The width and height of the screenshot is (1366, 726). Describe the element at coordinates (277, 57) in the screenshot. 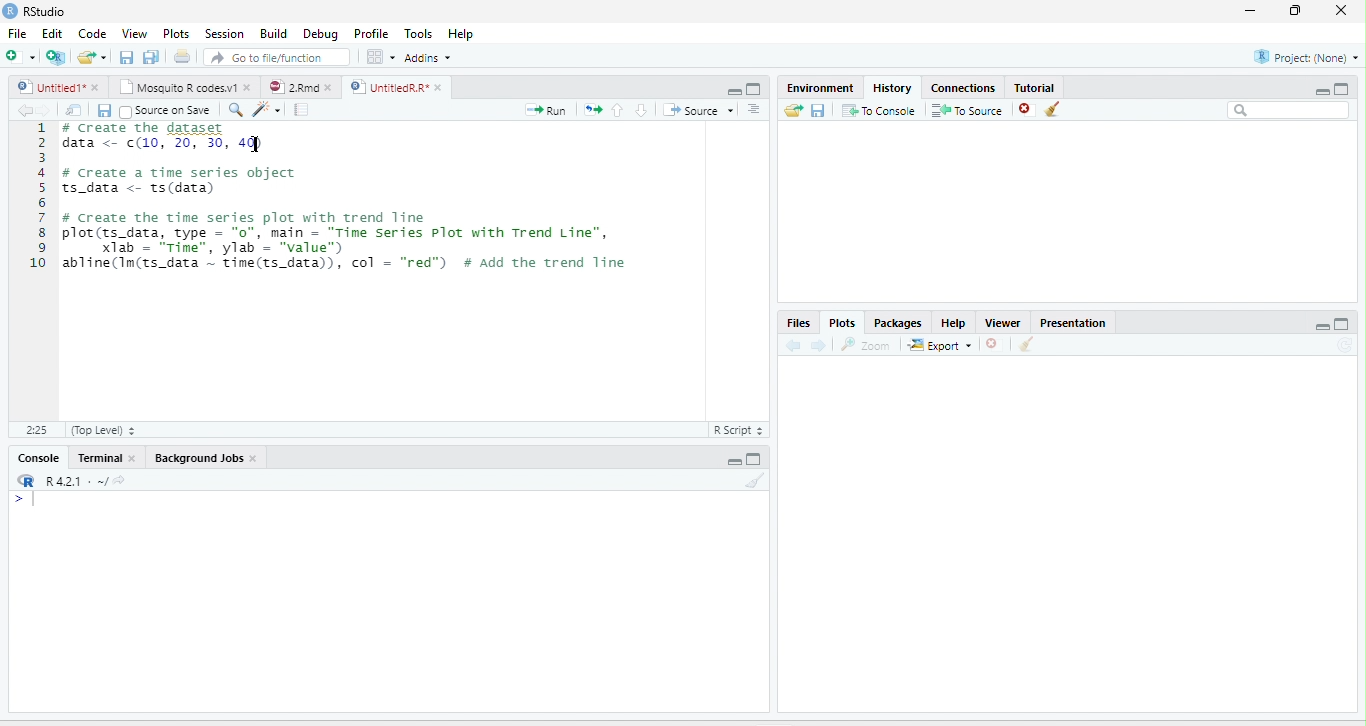

I see `Go to file/function` at that location.